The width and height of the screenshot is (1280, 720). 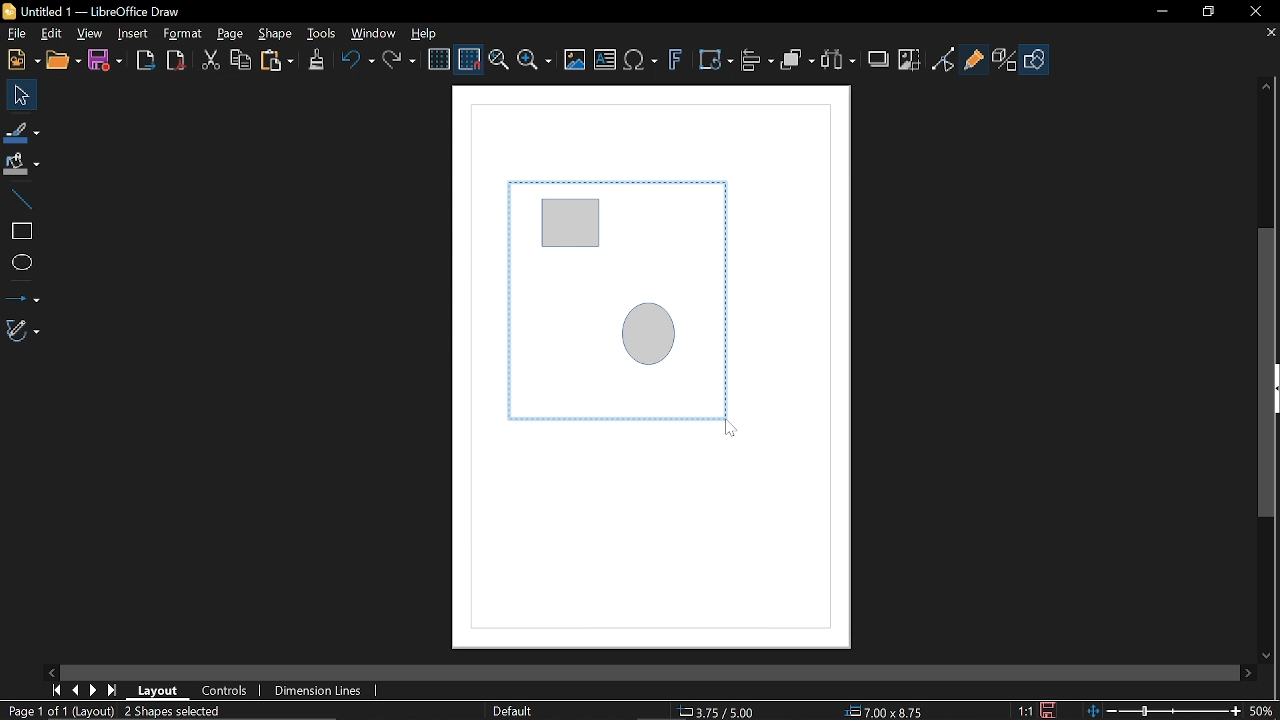 I want to click on Dimension units, so click(x=316, y=691).